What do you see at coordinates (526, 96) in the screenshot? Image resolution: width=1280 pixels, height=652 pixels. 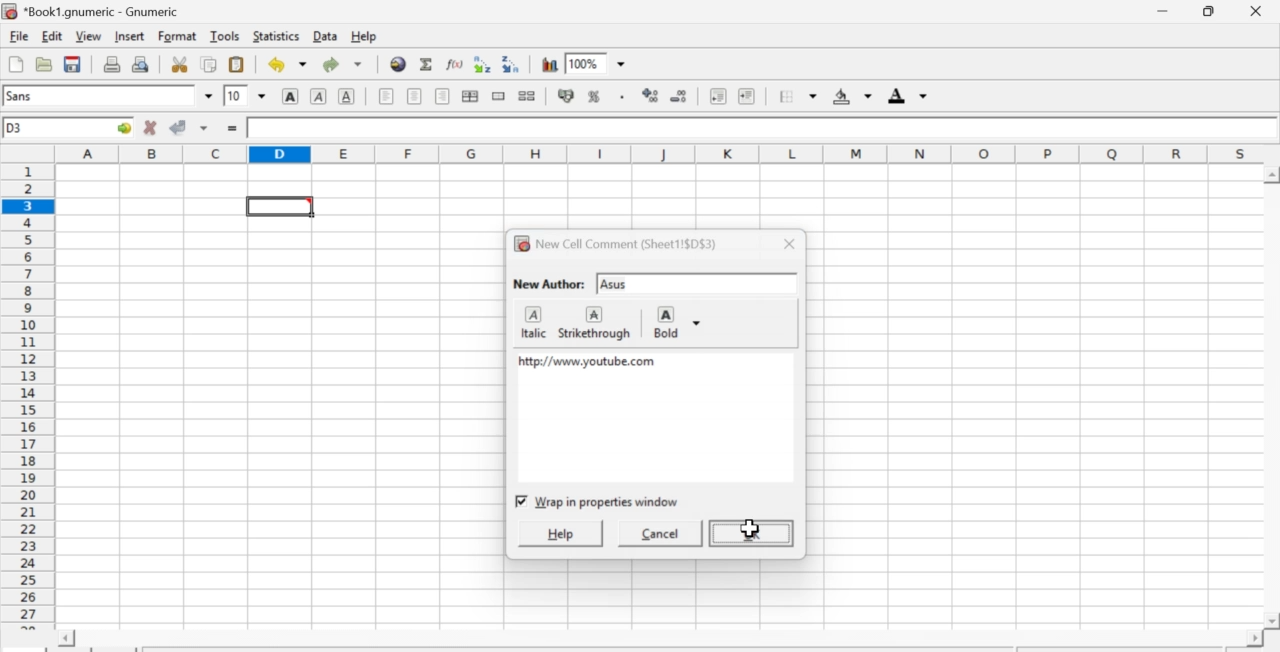 I see `Split cells` at bounding box center [526, 96].